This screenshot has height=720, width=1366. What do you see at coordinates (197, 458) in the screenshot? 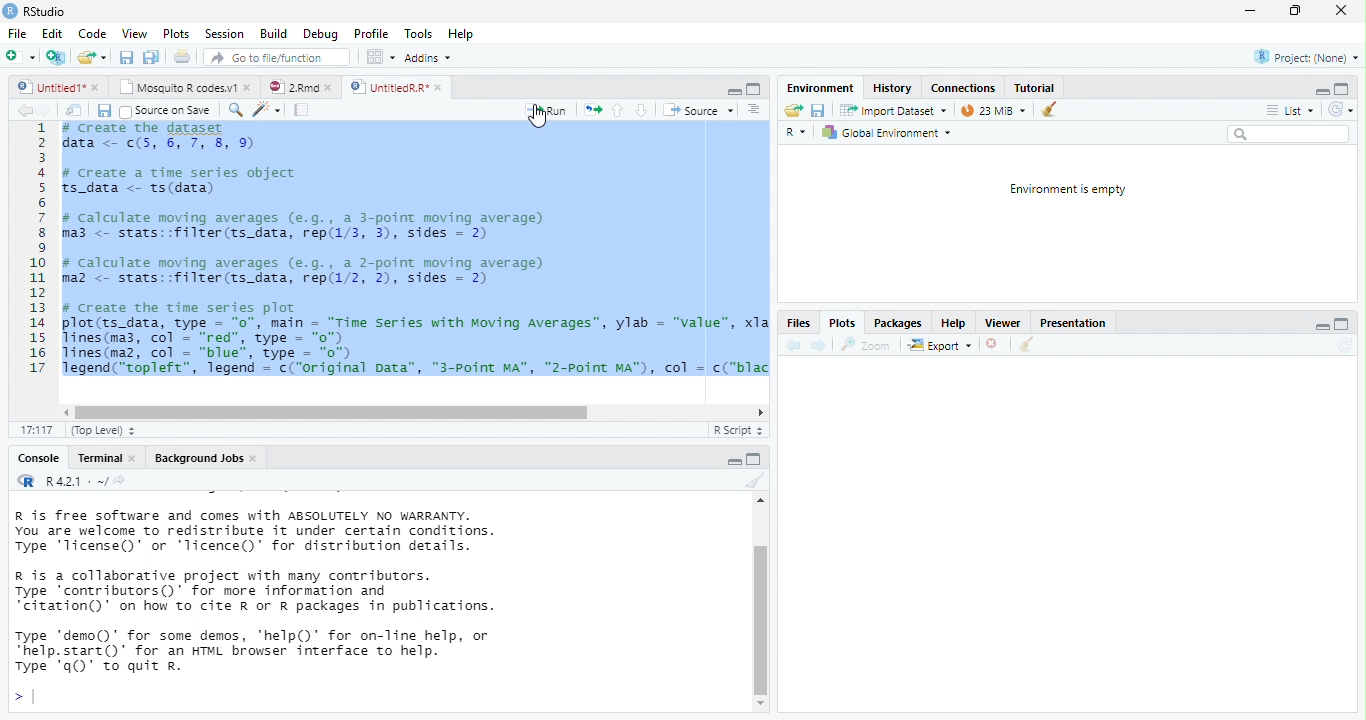
I see `Background Jobs` at bounding box center [197, 458].